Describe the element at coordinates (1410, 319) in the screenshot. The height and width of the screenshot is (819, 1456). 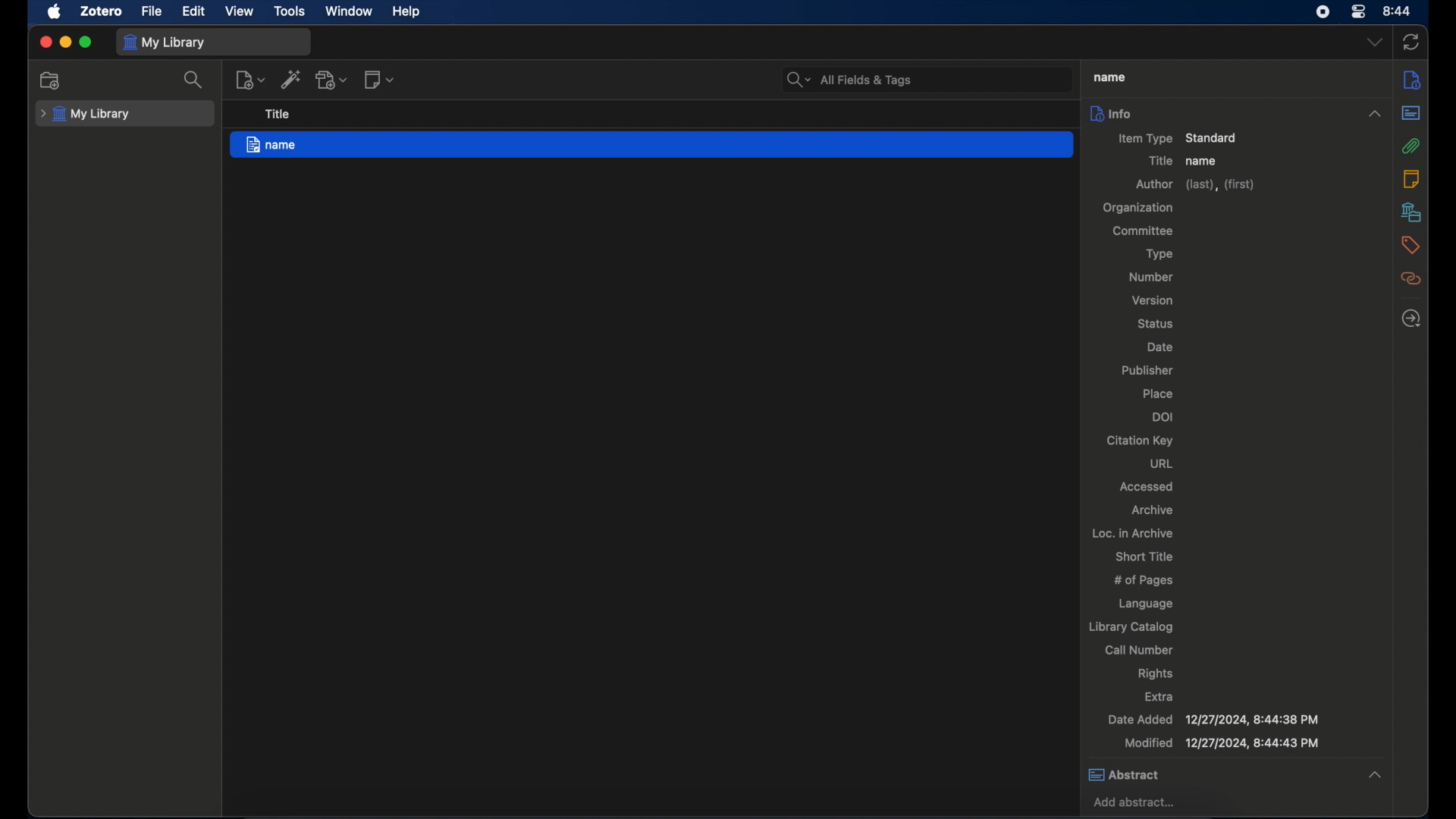
I see `locate` at that location.